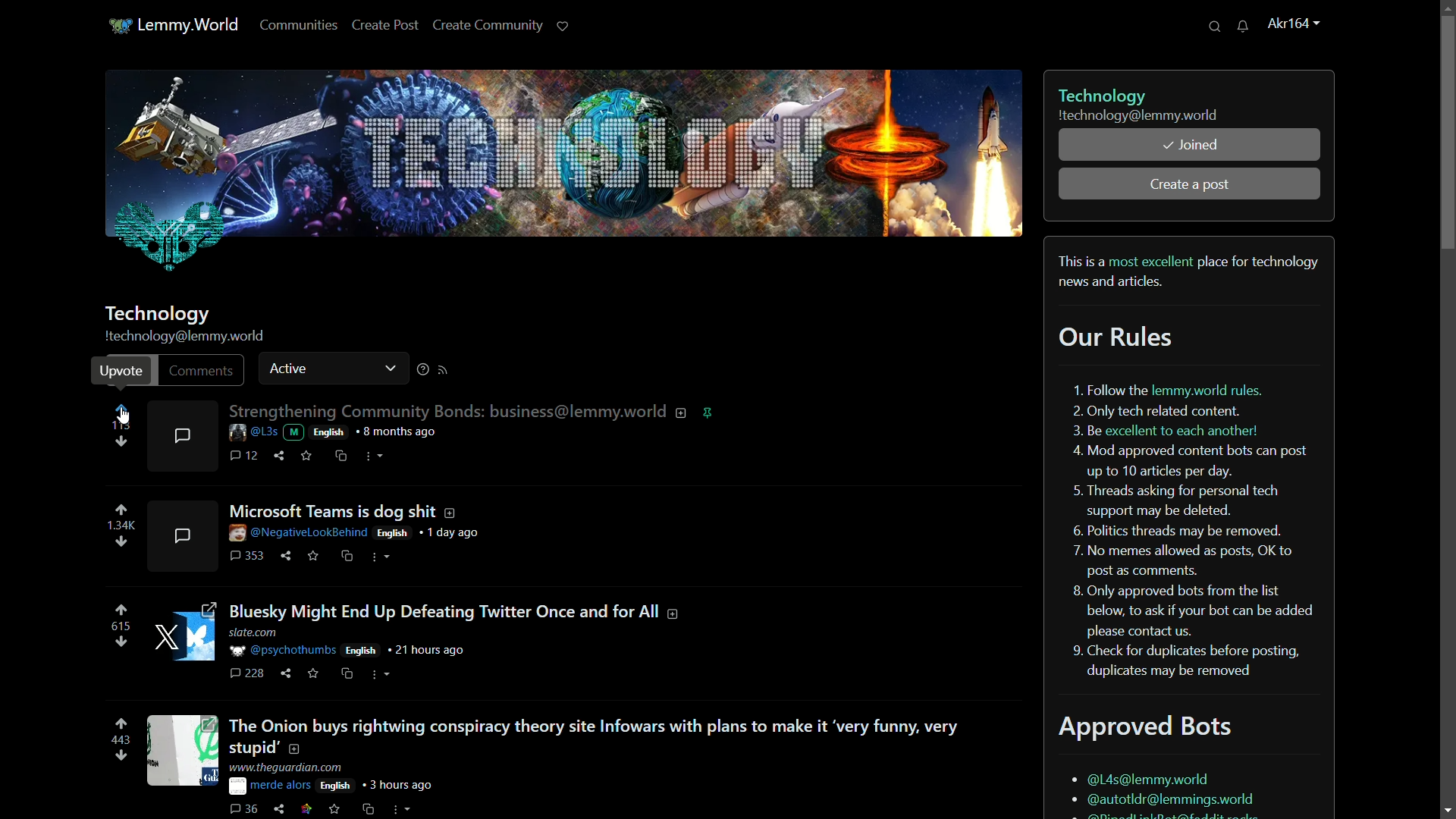 The height and width of the screenshot is (819, 1456). I want to click on upvote pop up, so click(122, 371).